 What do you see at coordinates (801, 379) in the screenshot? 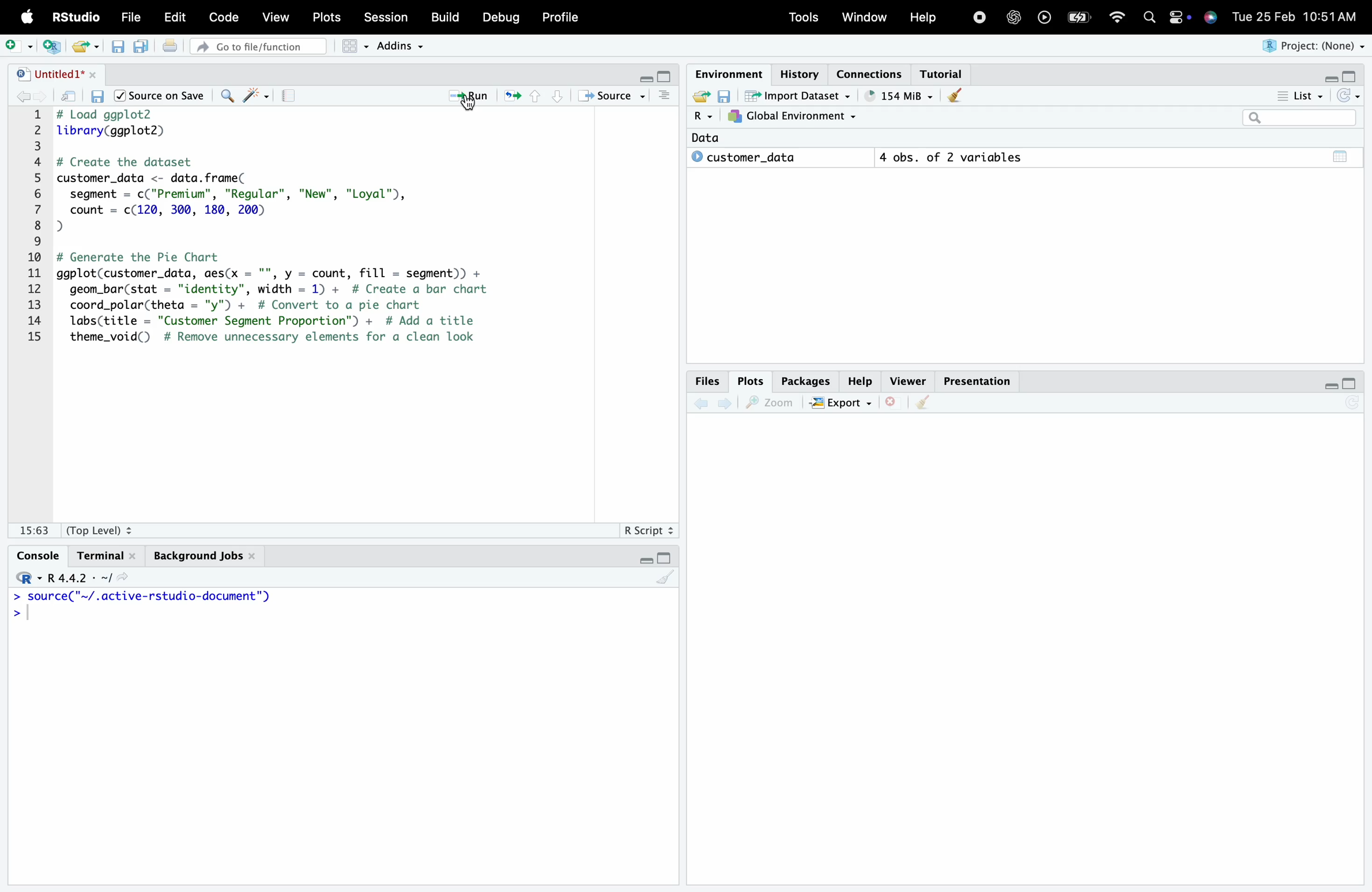
I see `Packages` at bounding box center [801, 379].